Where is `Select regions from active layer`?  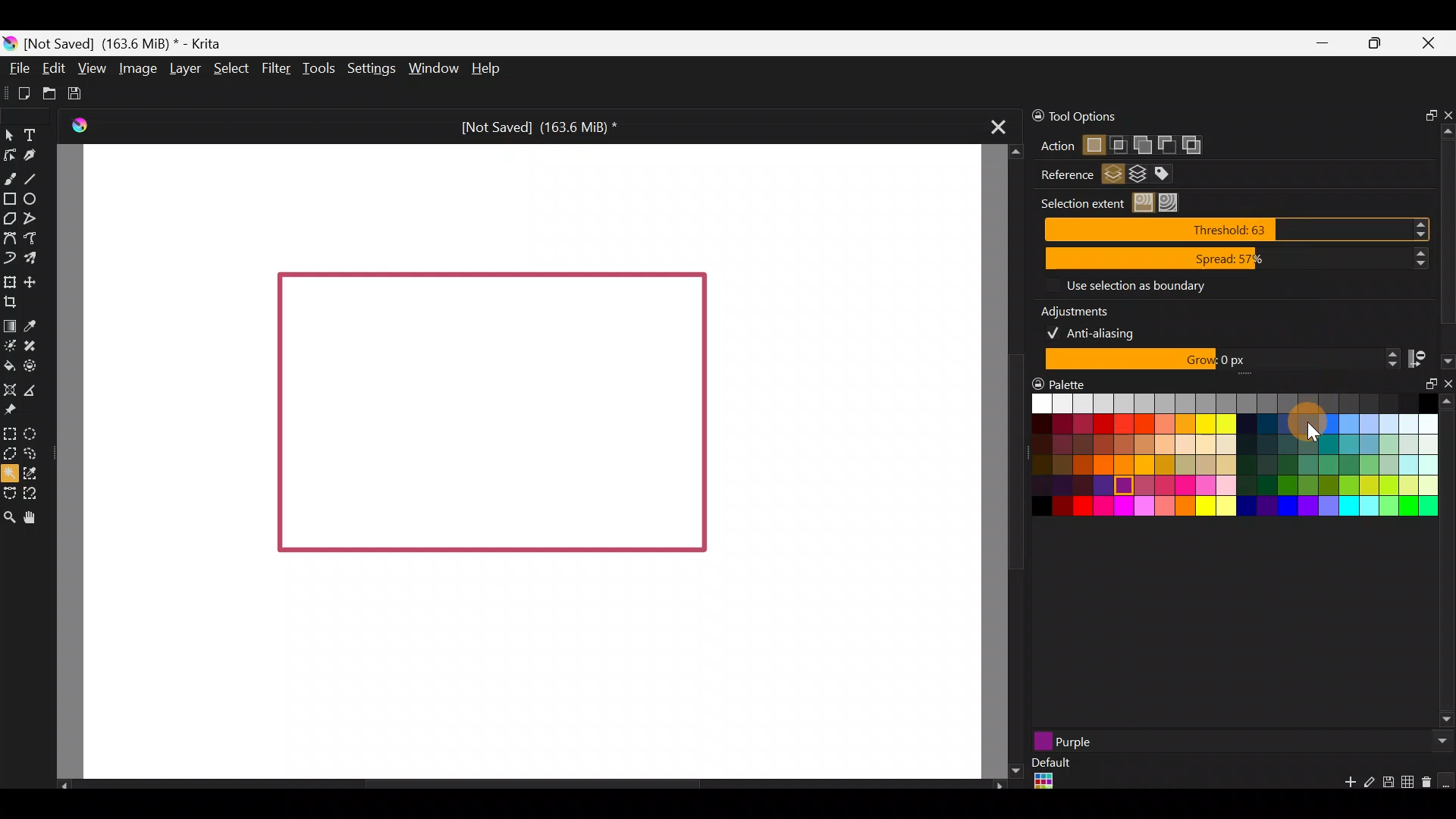
Select regions from active layer is located at coordinates (1113, 176).